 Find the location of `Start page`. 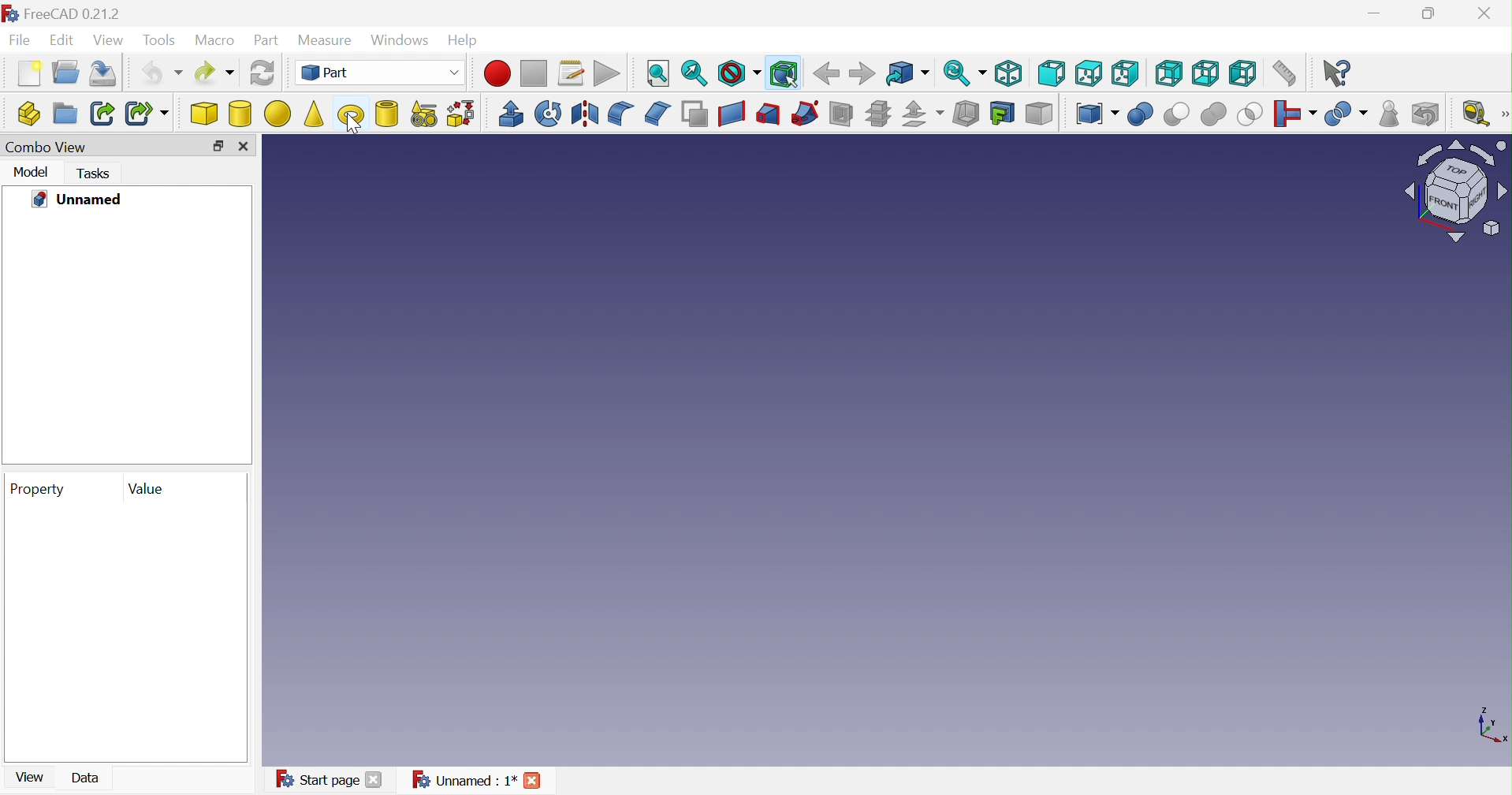

Start page is located at coordinates (333, 778).